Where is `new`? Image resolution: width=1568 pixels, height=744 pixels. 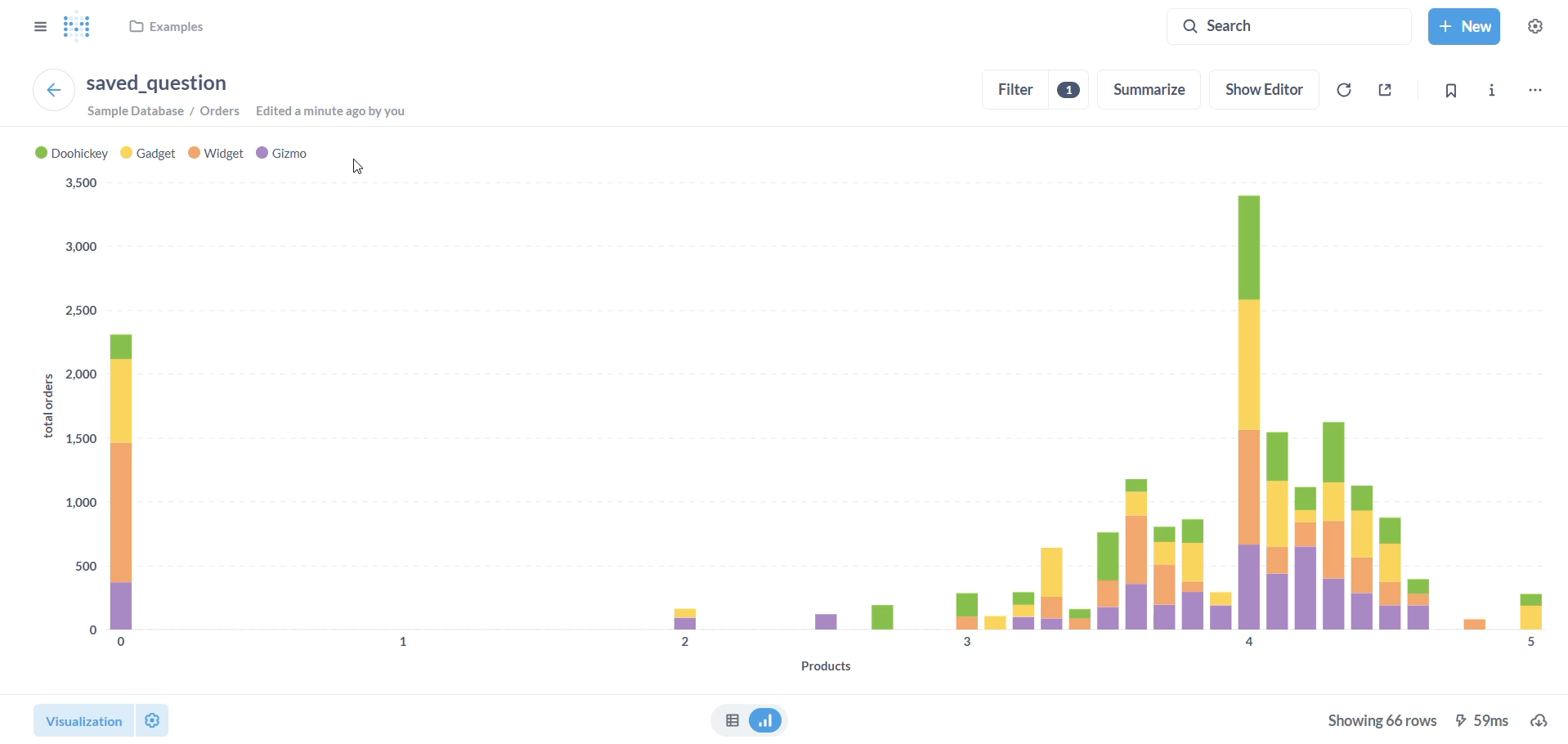 new is located at coordinates (1462, 26).